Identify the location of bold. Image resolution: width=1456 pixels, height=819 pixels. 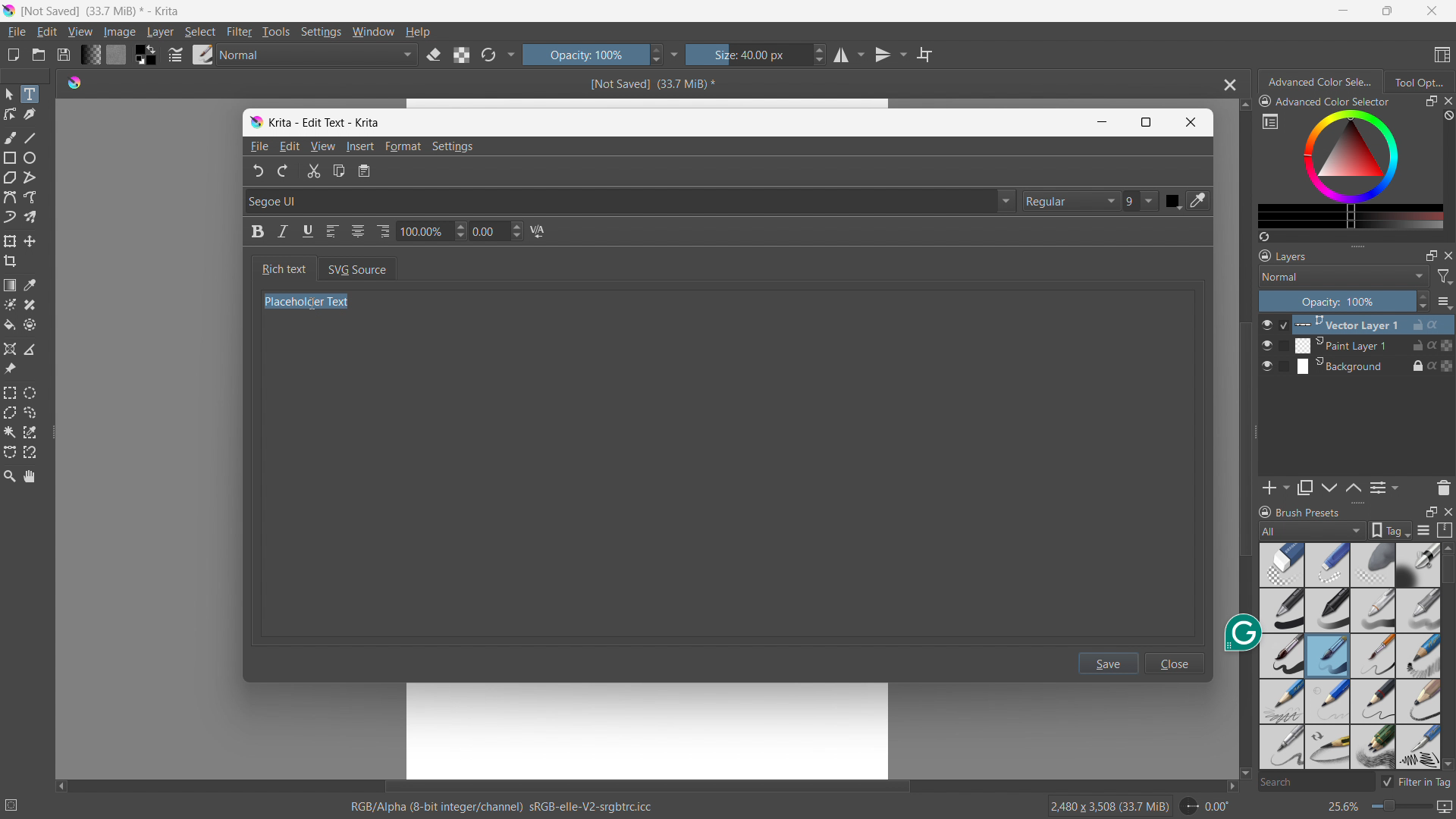
(259, 231).